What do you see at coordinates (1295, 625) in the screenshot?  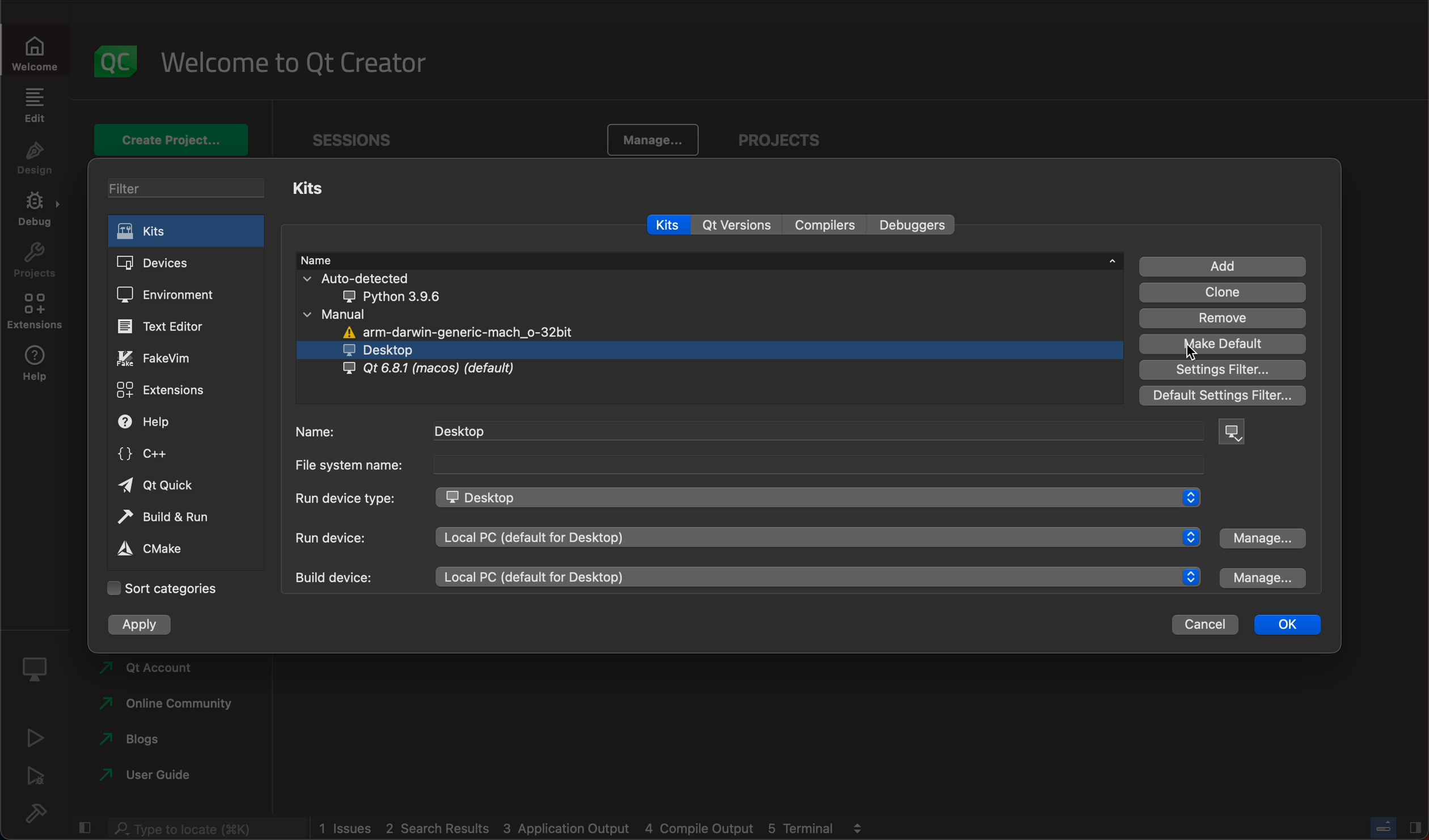 I see `ok` at bounding box center [1295, 625].